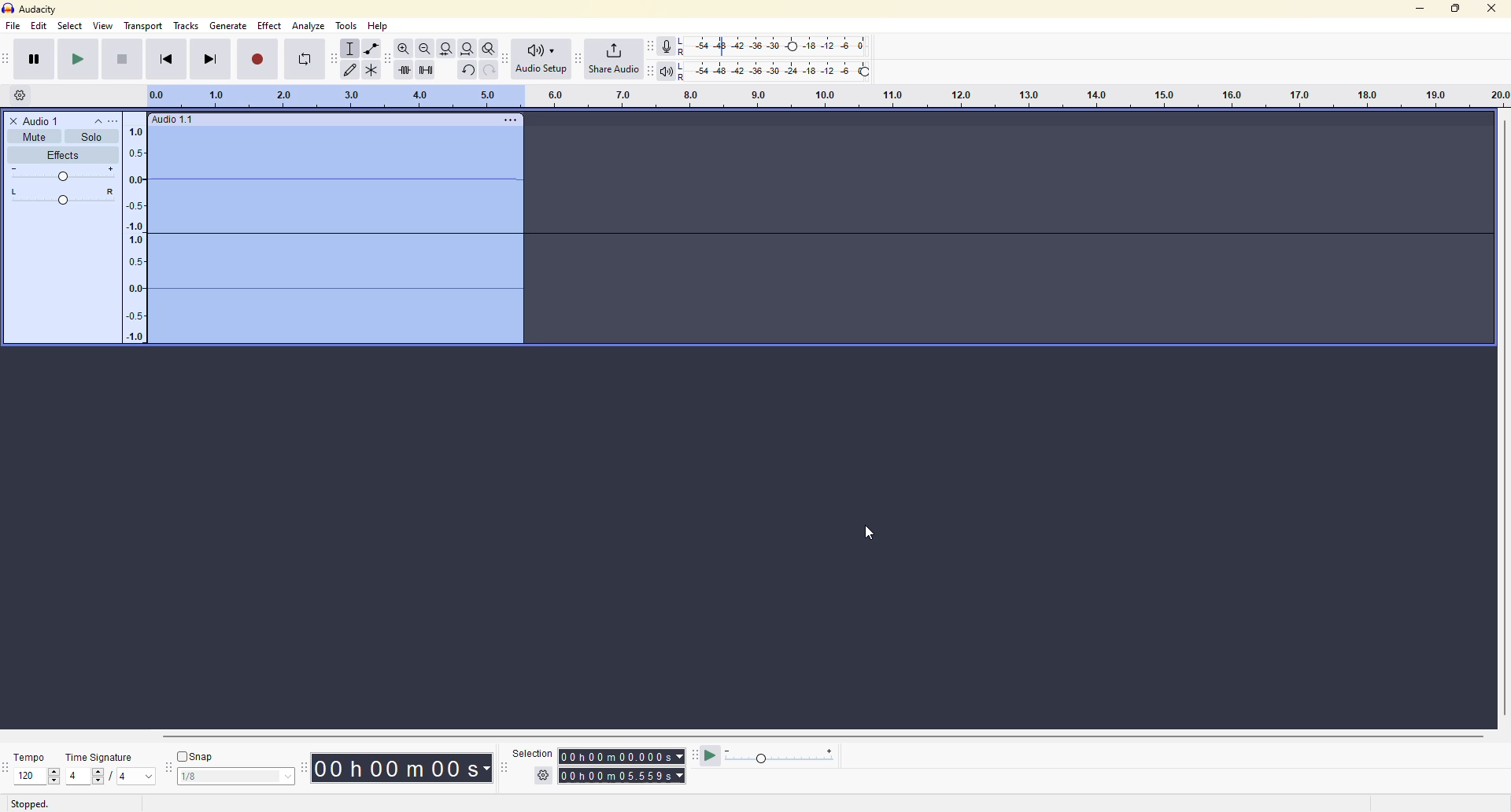  Describe the element at coordinates (168, 767) in the screenshot. I see `snapping toolbar` at that location.